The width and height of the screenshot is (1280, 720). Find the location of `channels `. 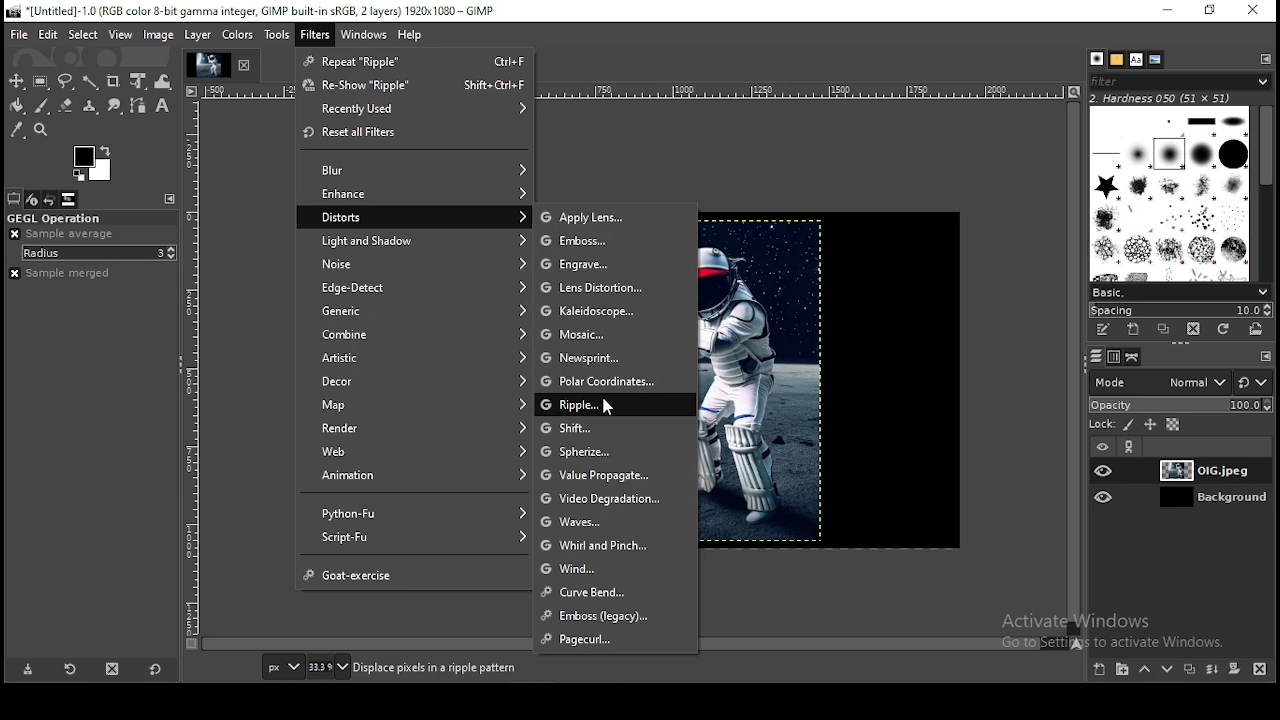

channels  is located at coordinates (1115, 357).